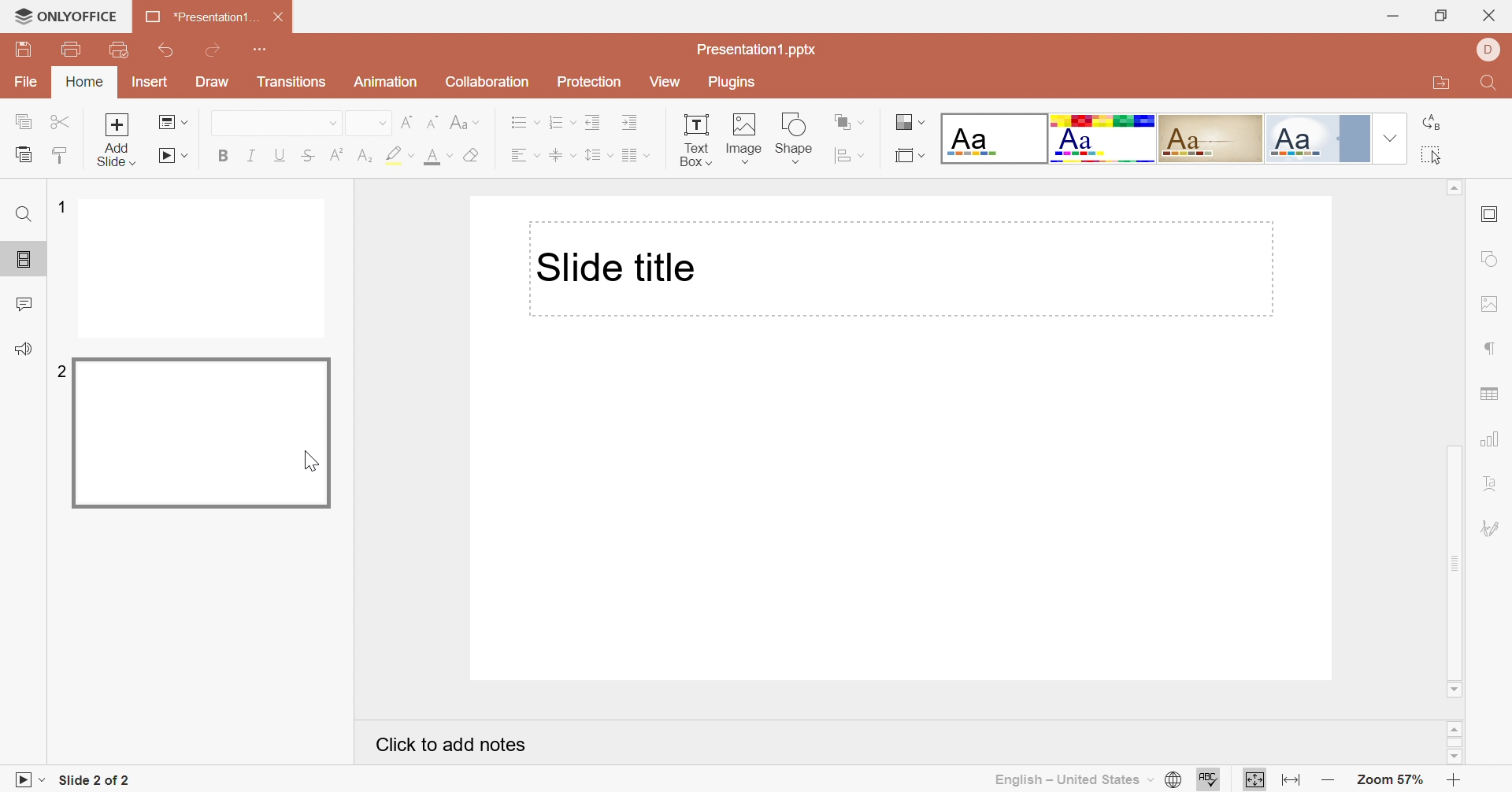  Describe the element at coordinates (735, 85) in the screenshot. I see `Plugins` at that location.